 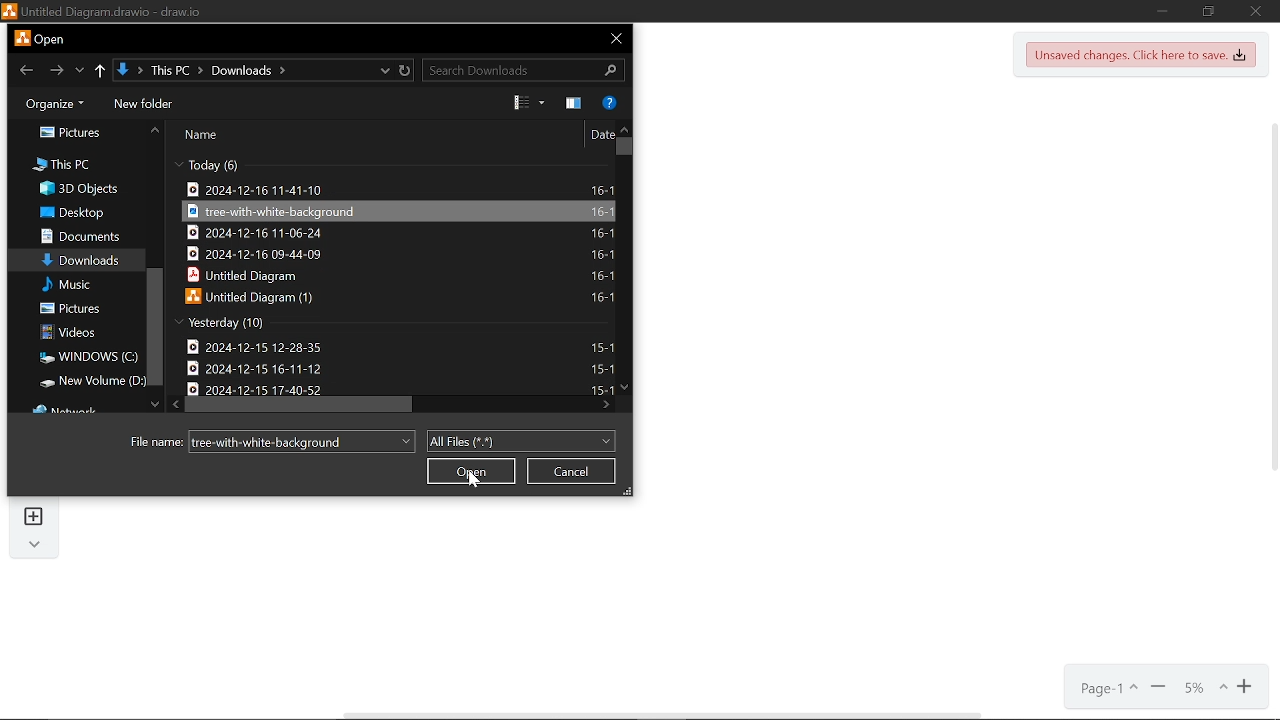 What do you see at coordinates (101, 70) in the screenshot?
I see `Upto THis PC` at bounding box center [101, 70].